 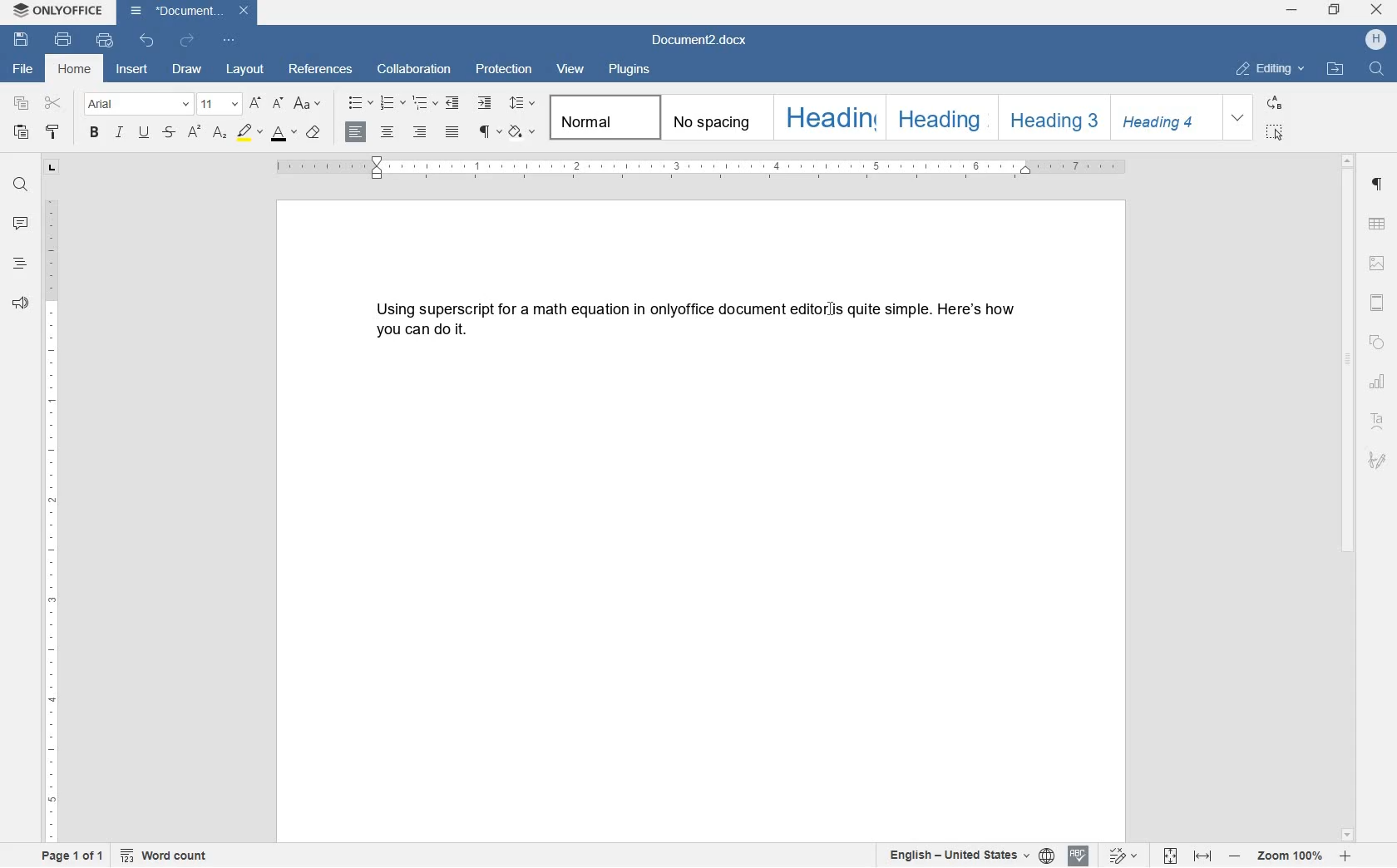 I want to click on ruler, so click(x=52, y=523).